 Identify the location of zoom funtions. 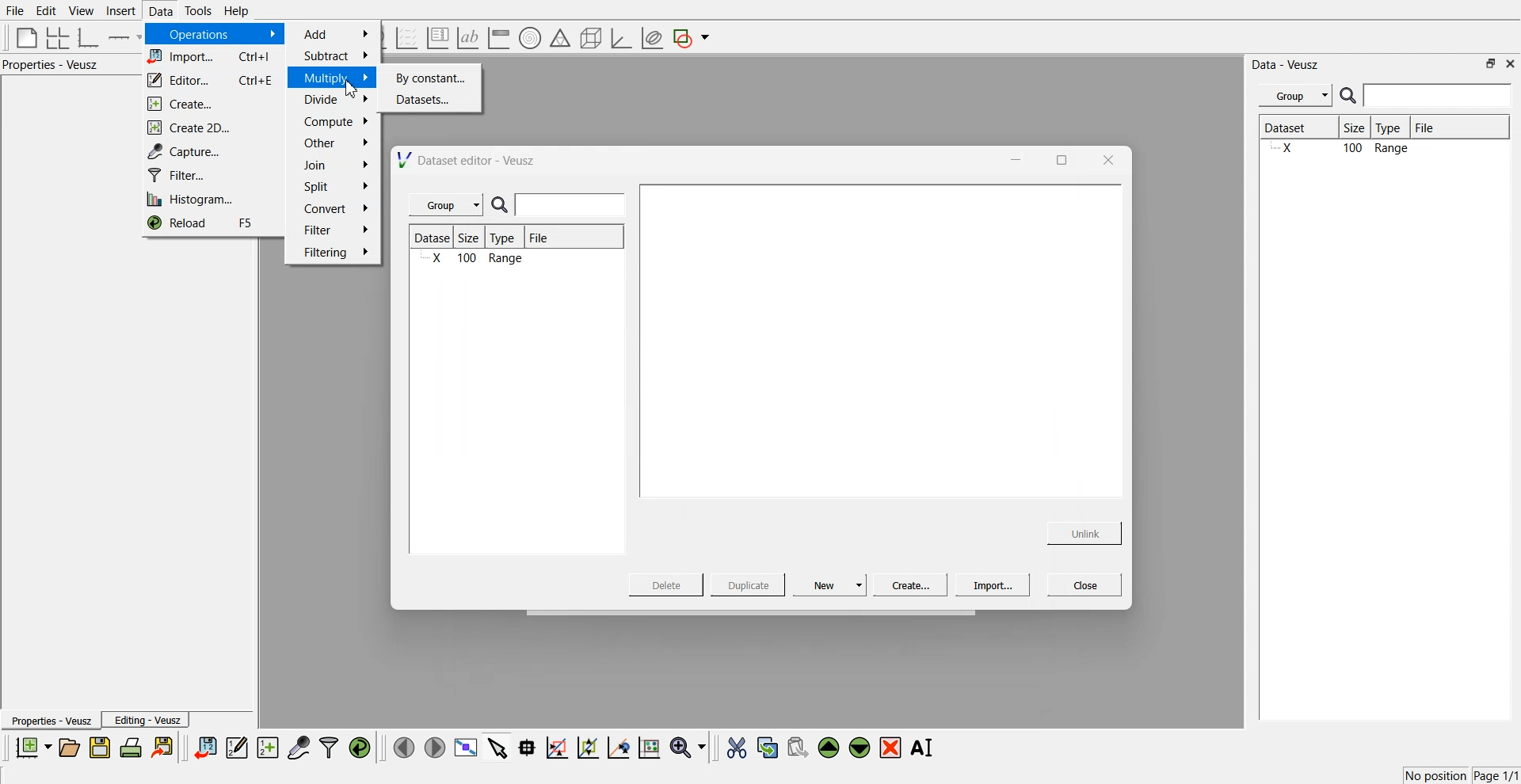
(688, 748).